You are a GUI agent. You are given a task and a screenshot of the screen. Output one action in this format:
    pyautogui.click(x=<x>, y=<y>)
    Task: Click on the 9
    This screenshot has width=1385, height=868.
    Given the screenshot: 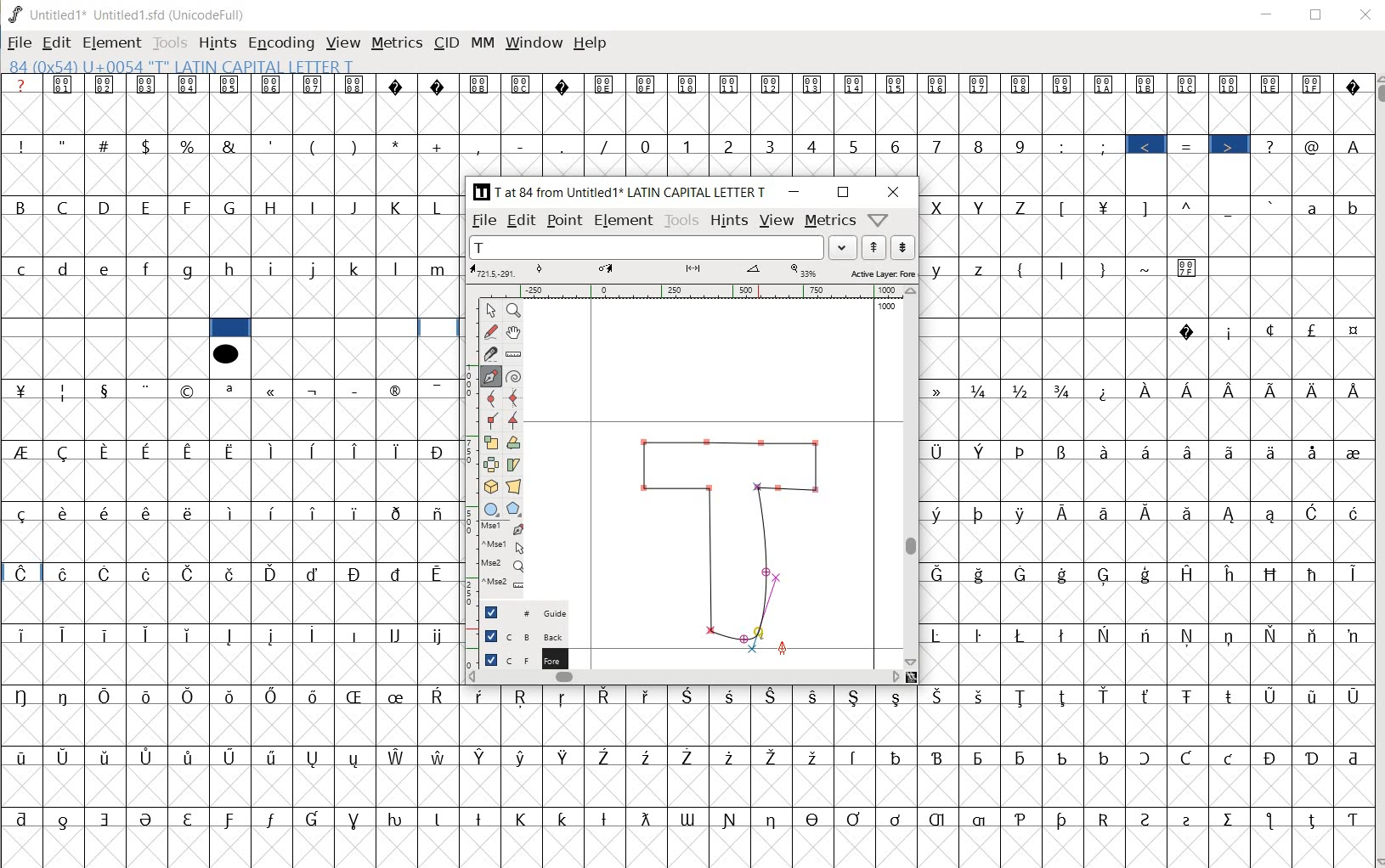 What is the action you would take?
    pyautogui.click(x=1020, y=146)
    